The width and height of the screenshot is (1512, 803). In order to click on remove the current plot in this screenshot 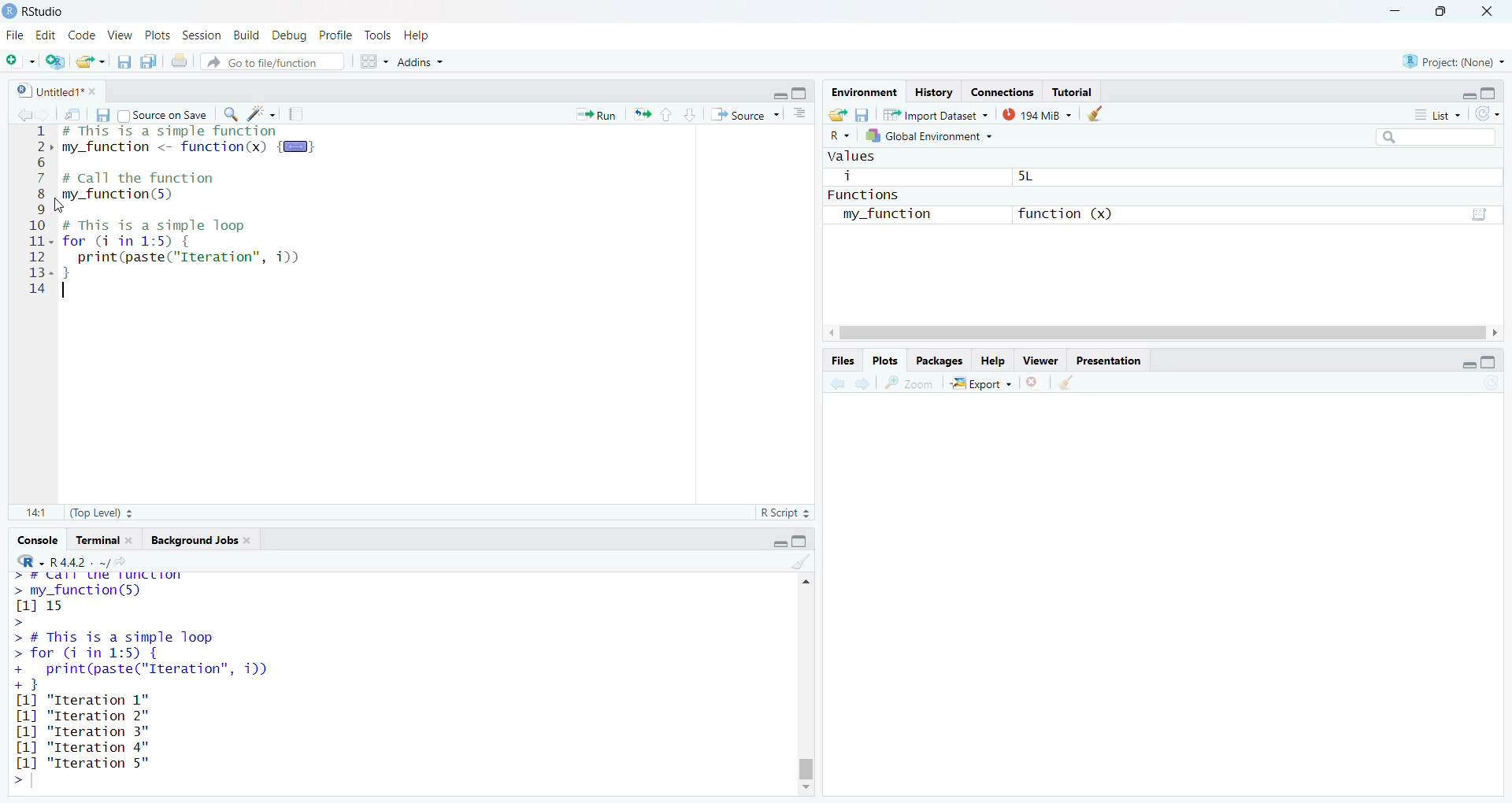, I will do `click(1034, 382)`.